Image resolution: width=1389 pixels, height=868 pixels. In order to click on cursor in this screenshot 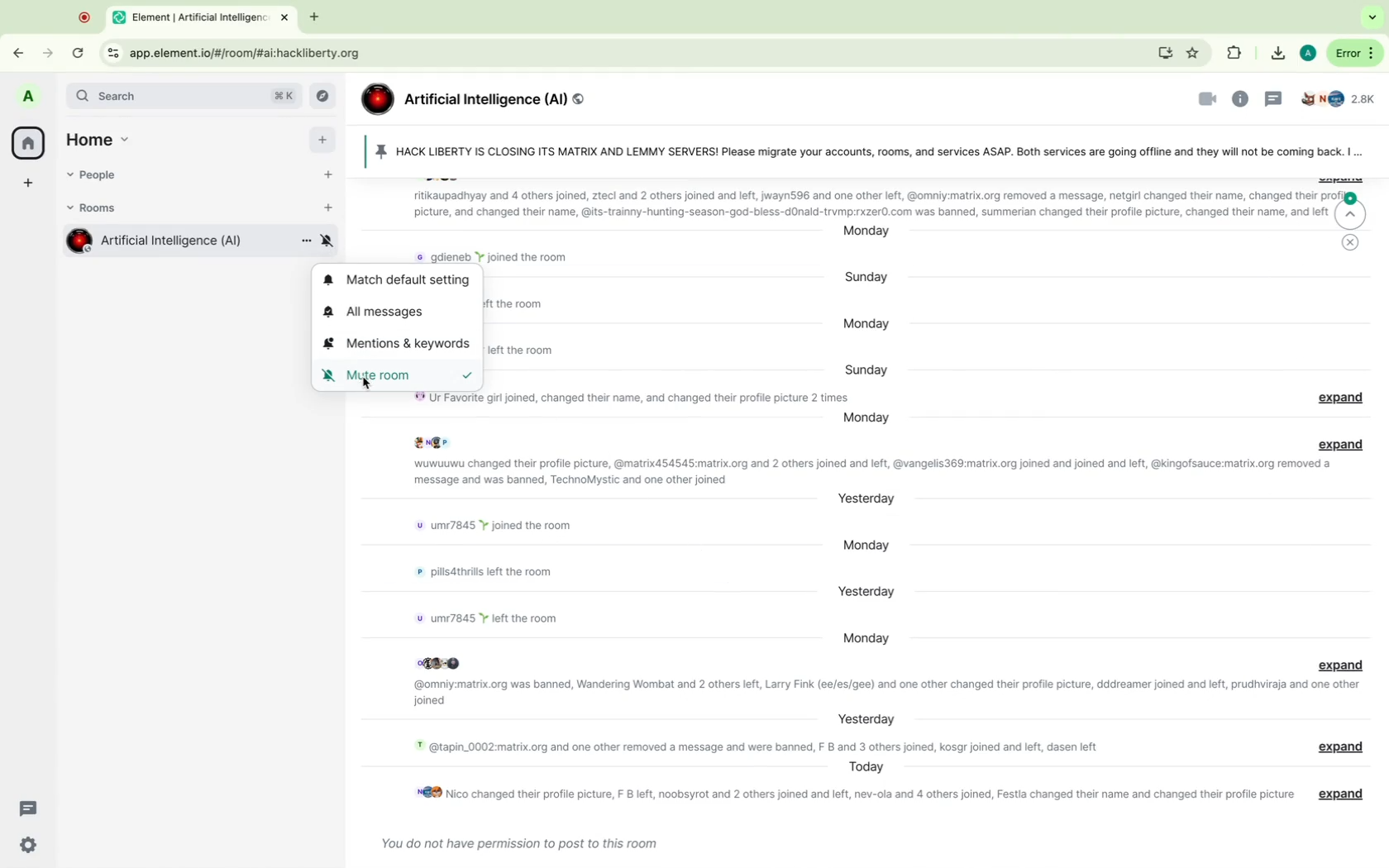, I will do `click(365, 384)`.